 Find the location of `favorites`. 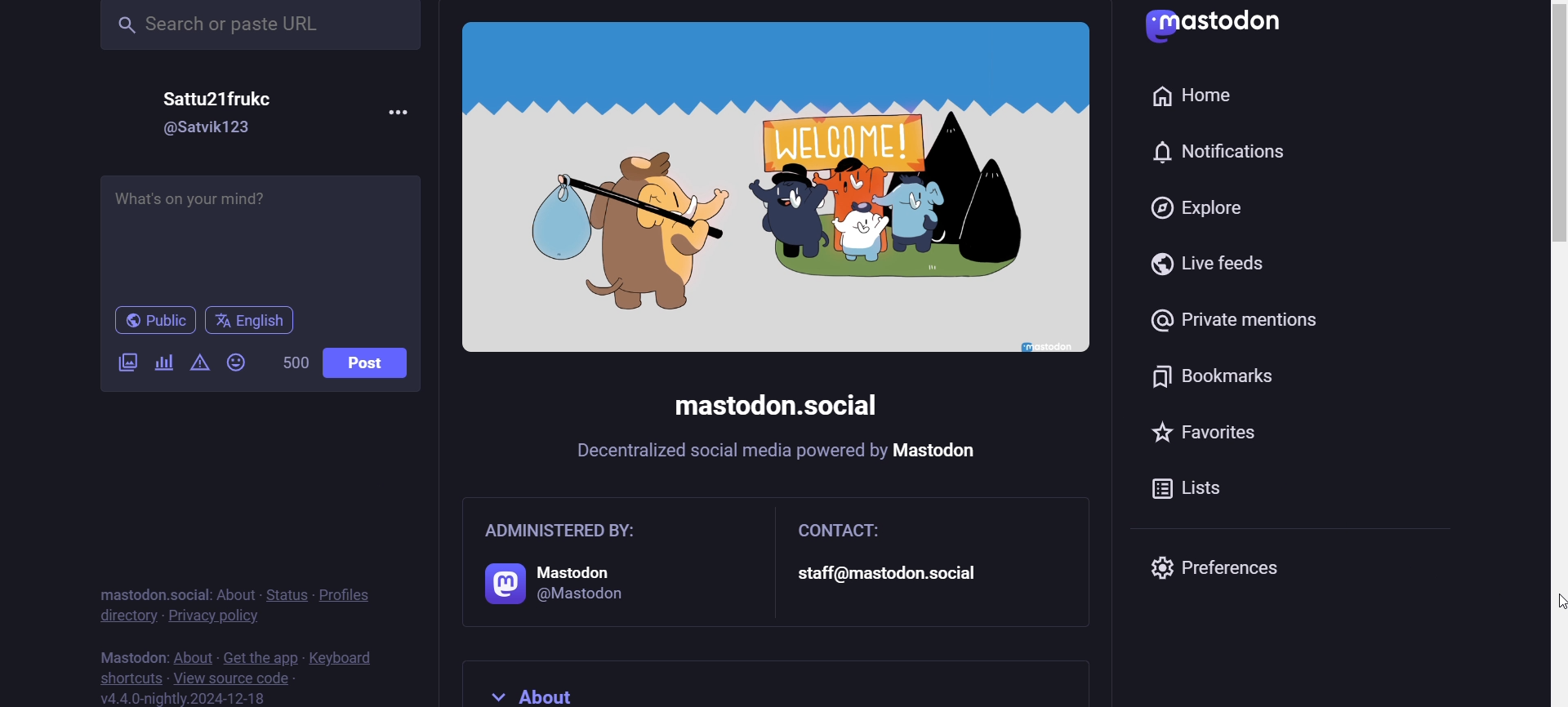

favorites is located at coordinates (1204, 434).